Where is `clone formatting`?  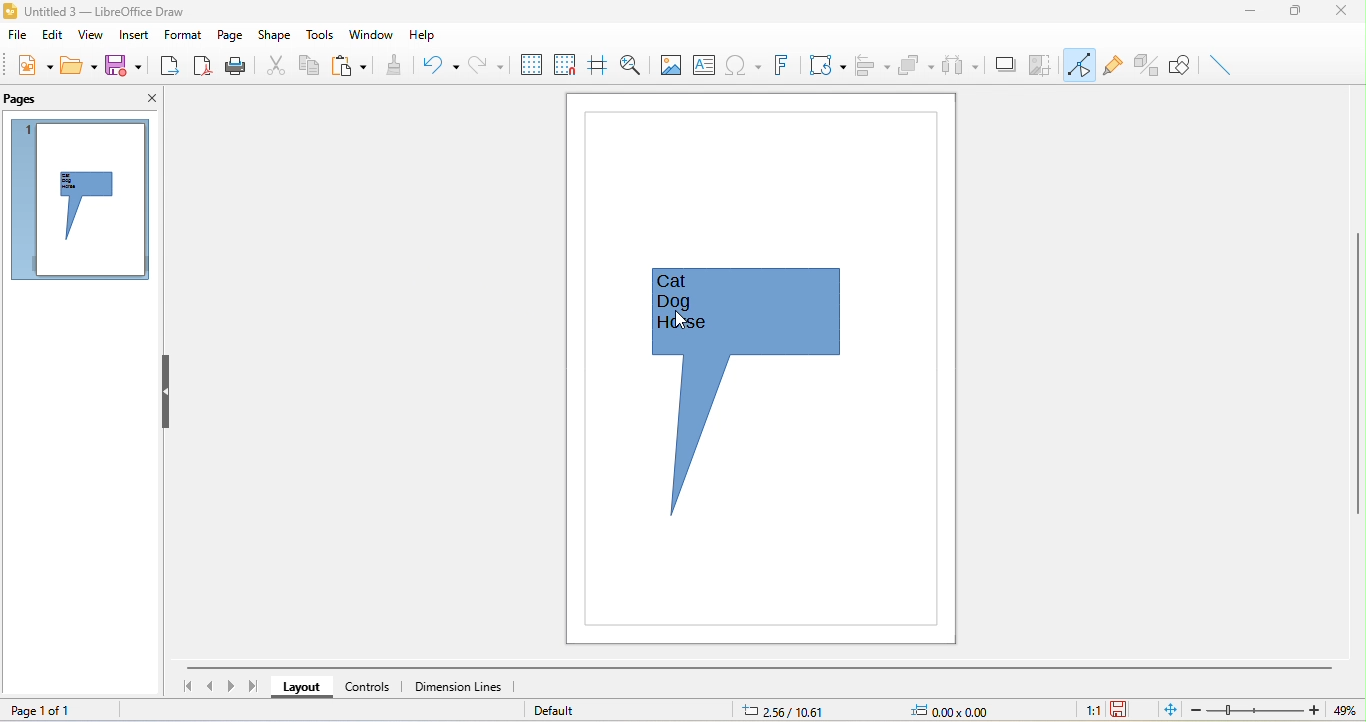
clone formatting is located at coordinates (389, 67).